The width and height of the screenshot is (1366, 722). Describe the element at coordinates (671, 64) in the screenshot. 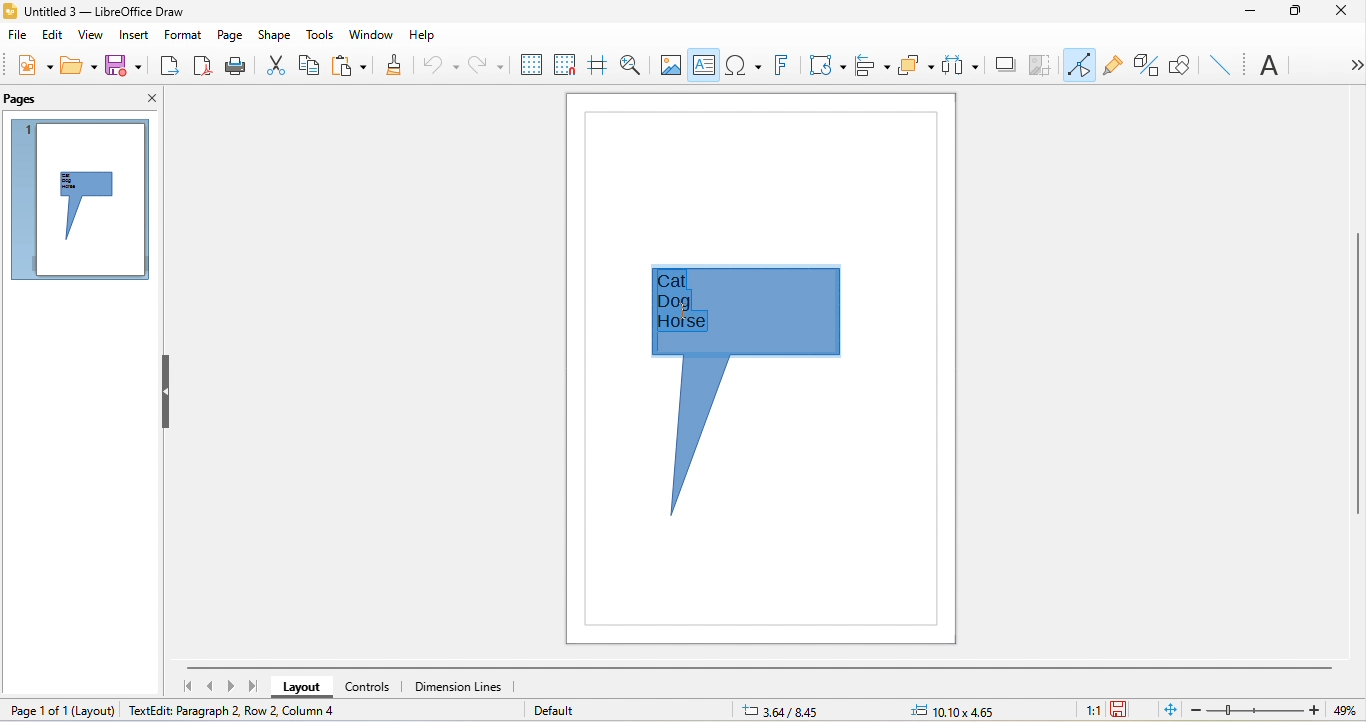

I see `image` at that location.